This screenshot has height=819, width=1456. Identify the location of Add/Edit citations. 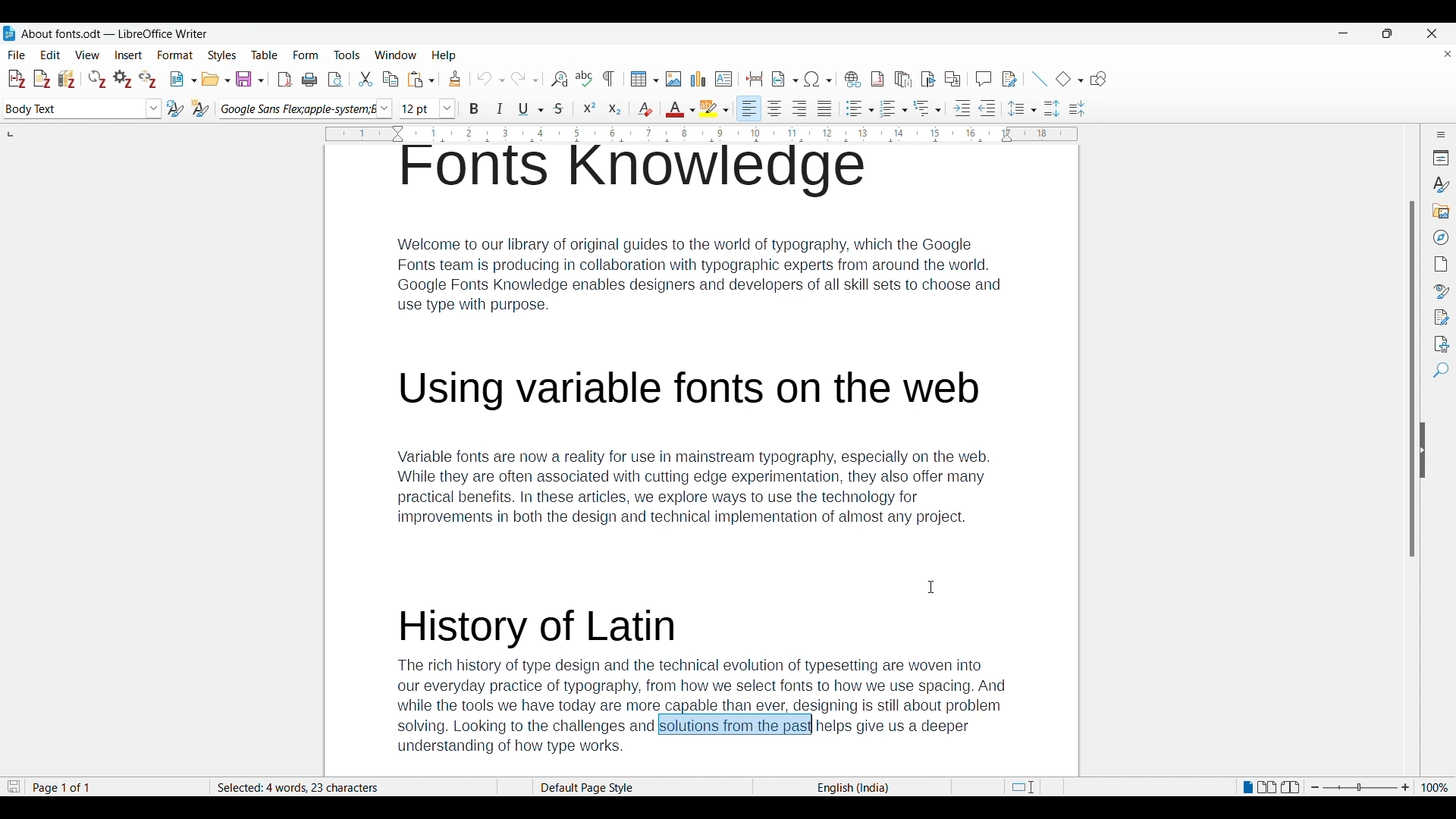
(17, 80).